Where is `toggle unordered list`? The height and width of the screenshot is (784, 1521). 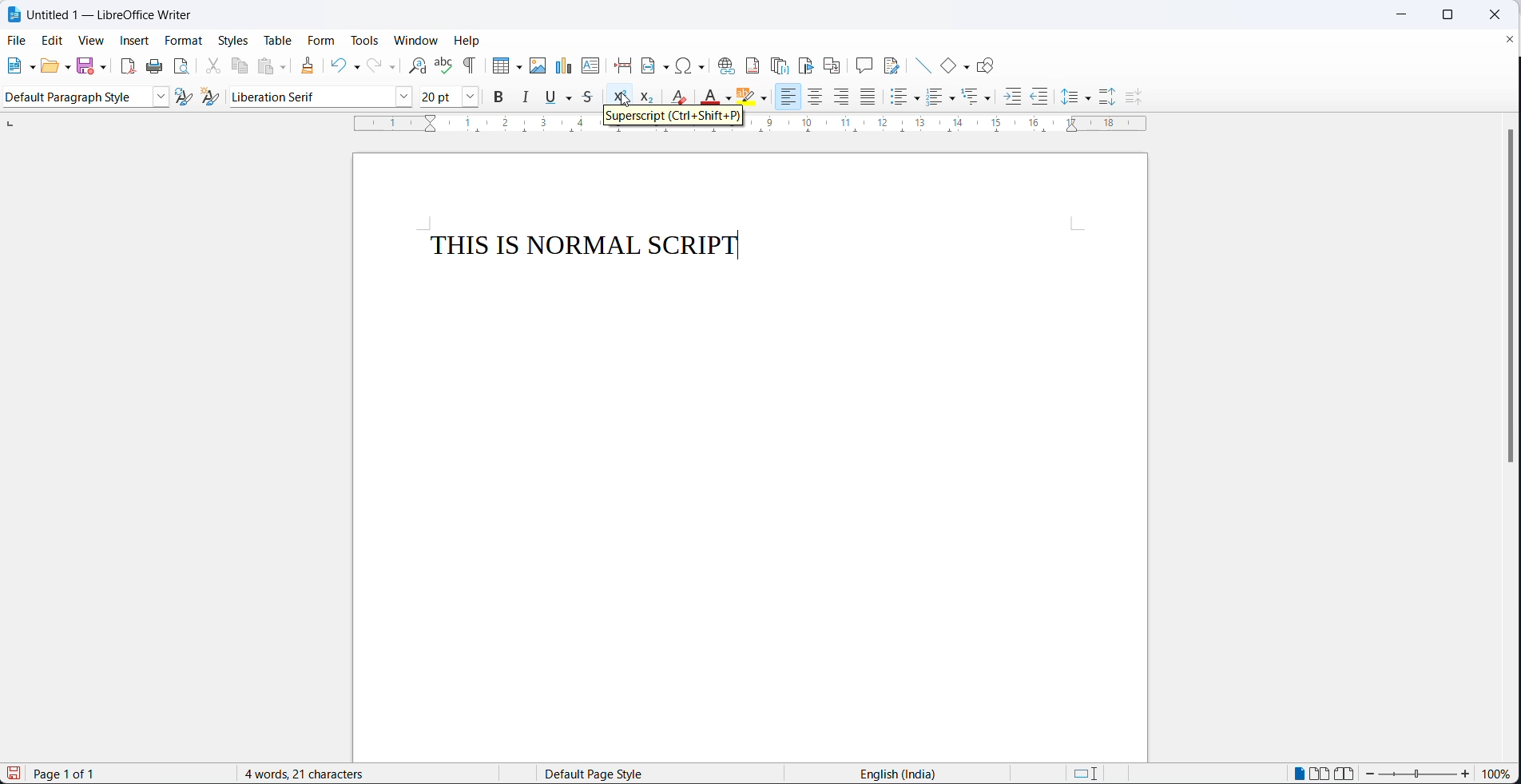 toggle unordered list is located at coordinates (897, 100).